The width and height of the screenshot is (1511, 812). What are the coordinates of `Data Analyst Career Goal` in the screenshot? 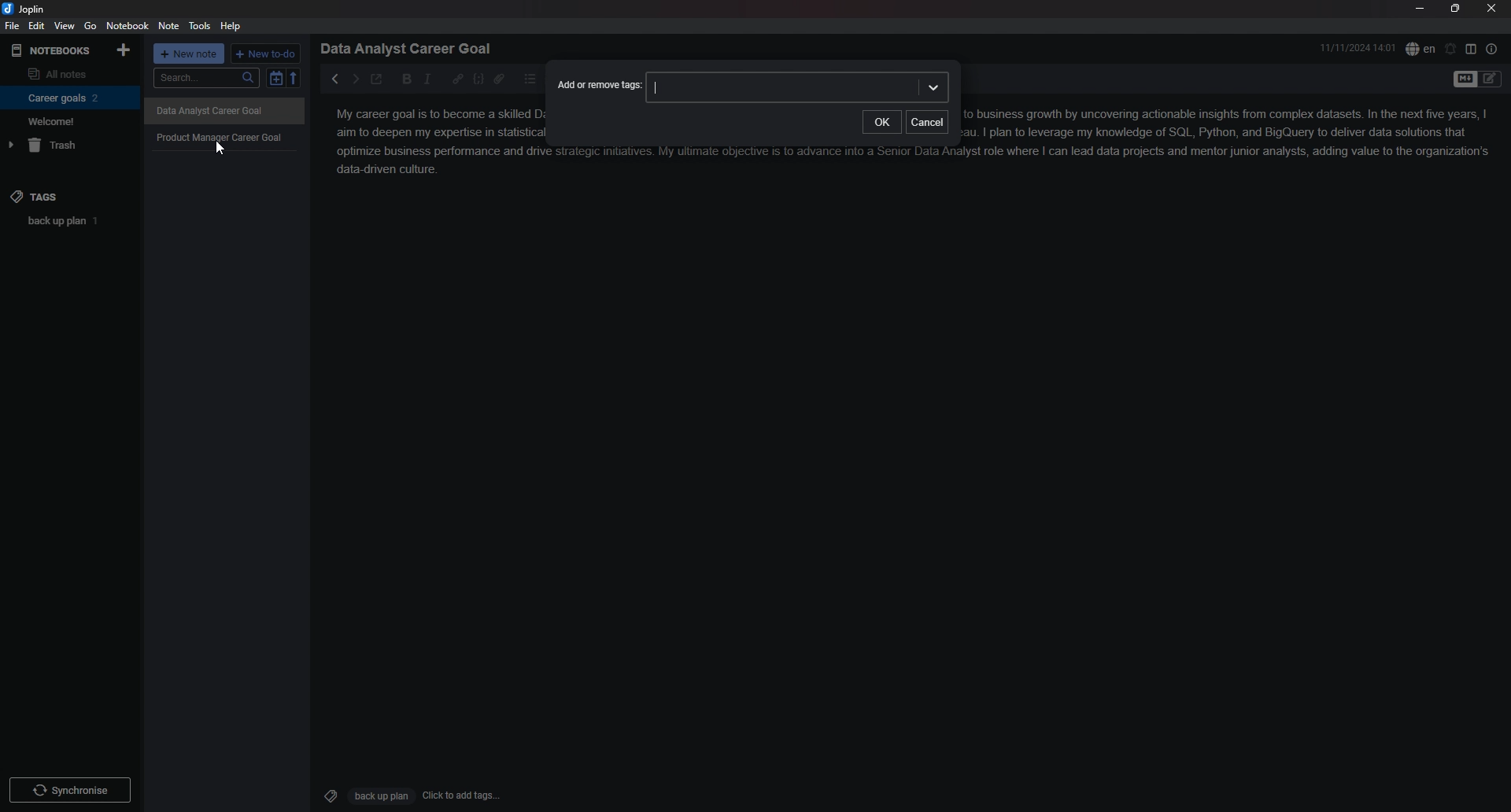 It's located at (412, 48).